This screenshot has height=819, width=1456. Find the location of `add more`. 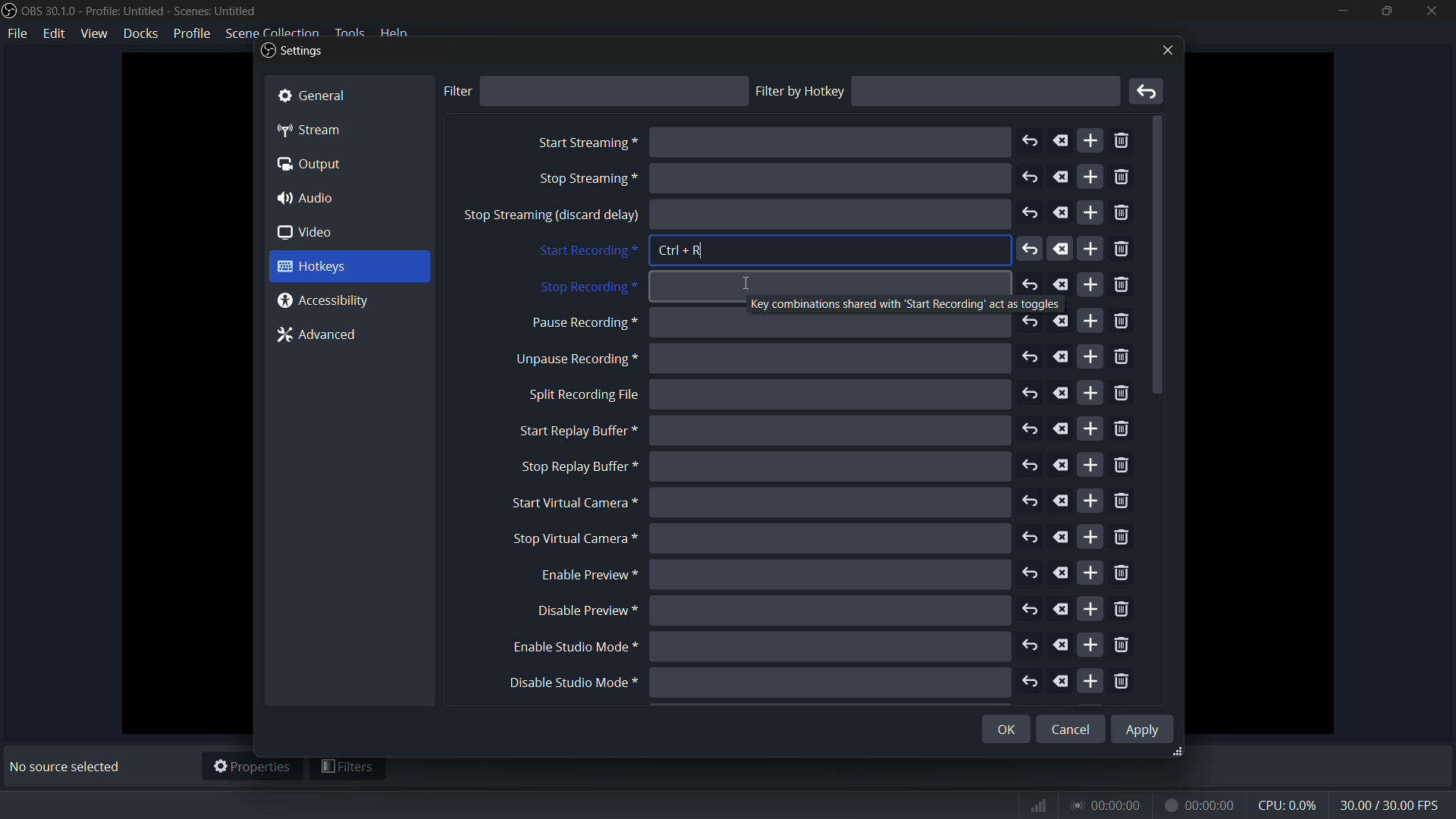

add more is located at coordinates (1090, 177).